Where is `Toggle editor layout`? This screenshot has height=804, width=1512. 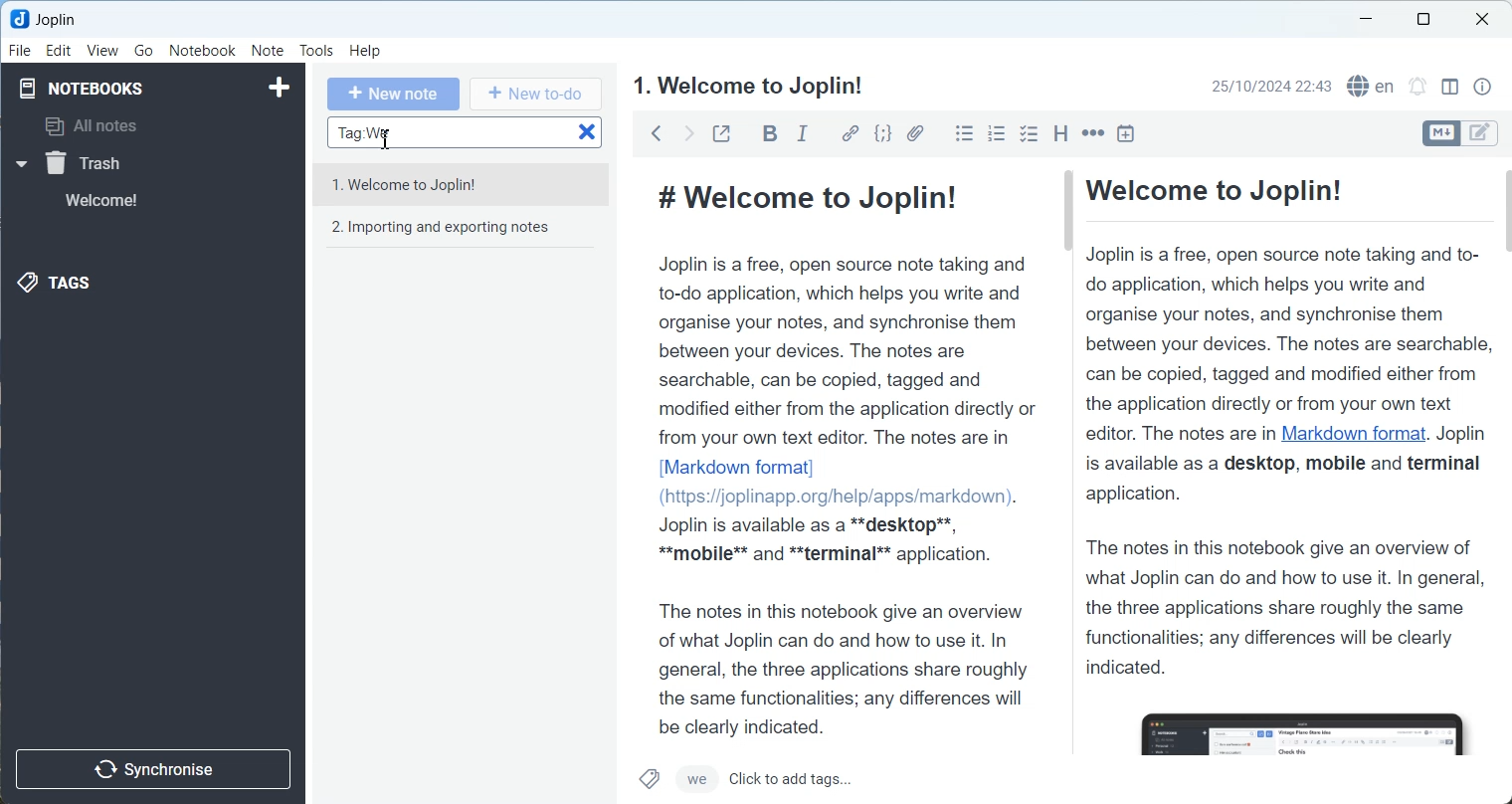 Toggle editor layout is located at coordinates (1449, 87).